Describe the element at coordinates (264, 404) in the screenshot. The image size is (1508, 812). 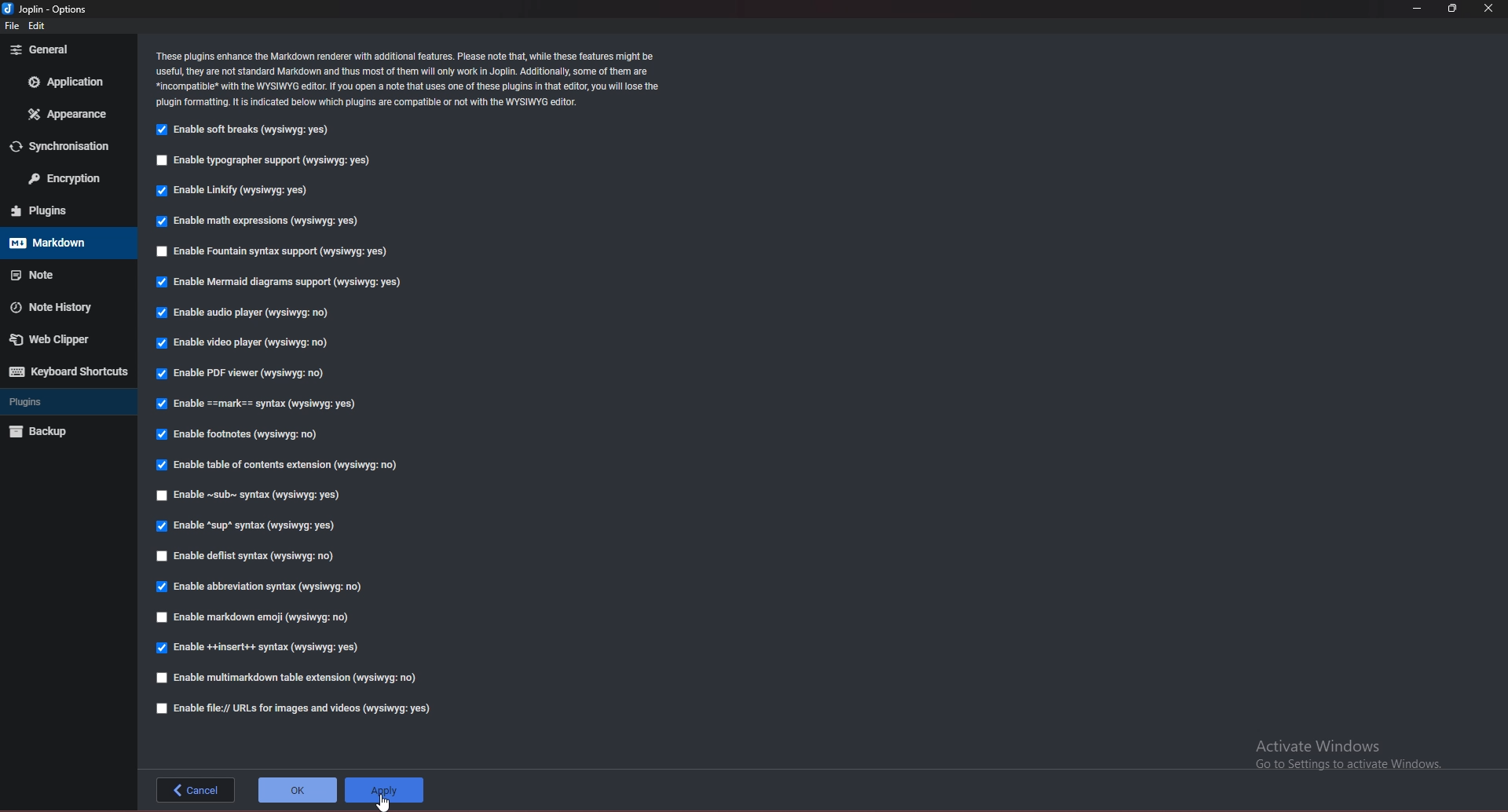
I see `enable mark syntax` at that location.